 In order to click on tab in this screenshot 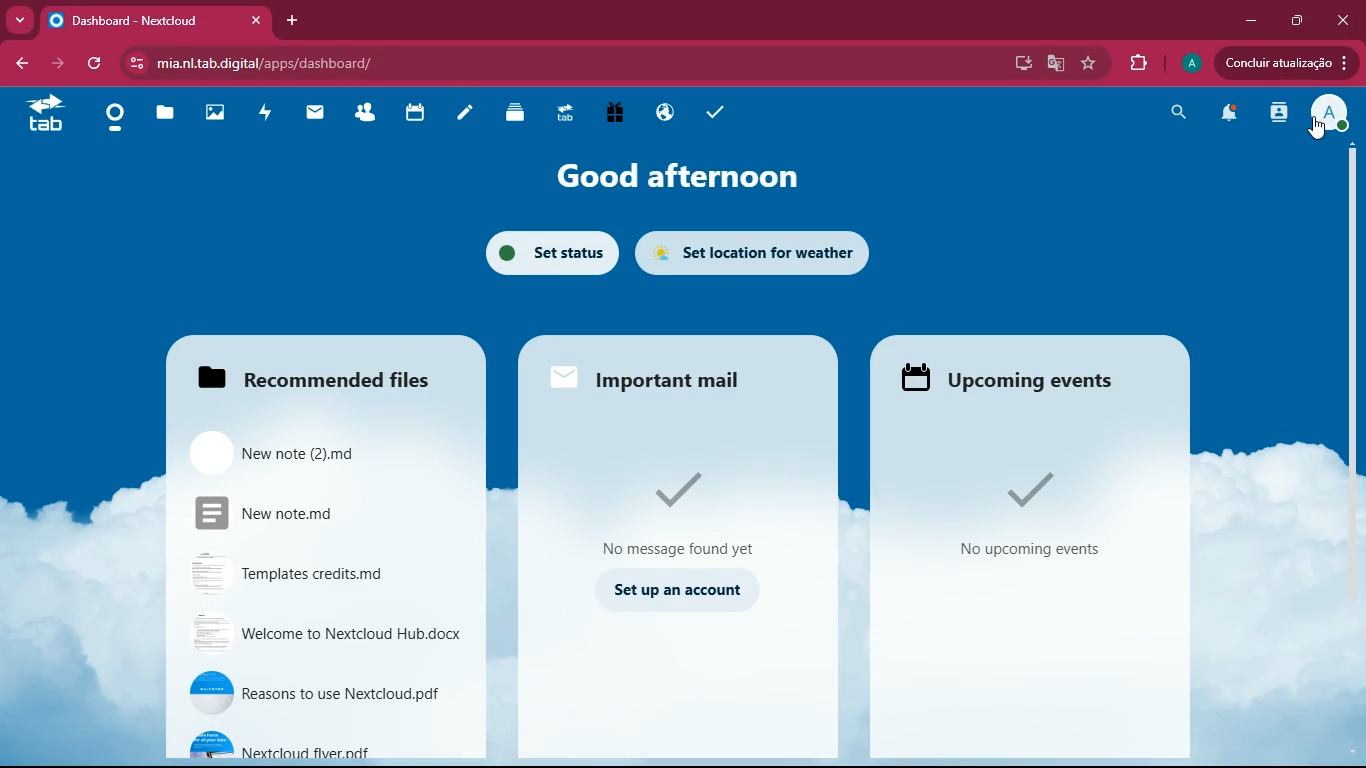, I will do `click(567, 114)`.